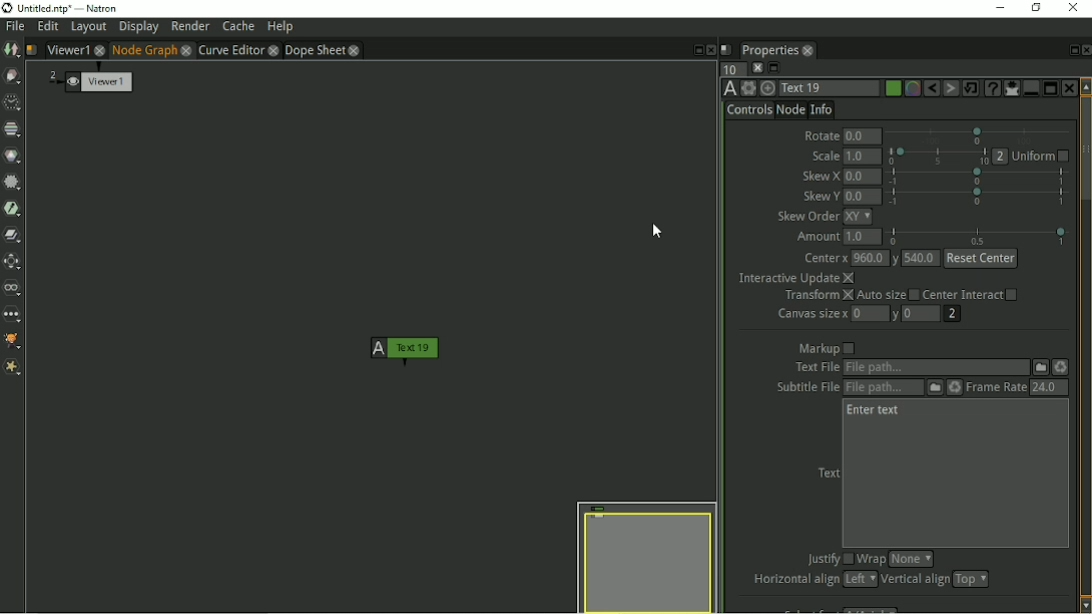 This screenshot has width=1092, height=614. Describe the element at coordinates (1040, 367) in the screenshot. I see `File` at that location.